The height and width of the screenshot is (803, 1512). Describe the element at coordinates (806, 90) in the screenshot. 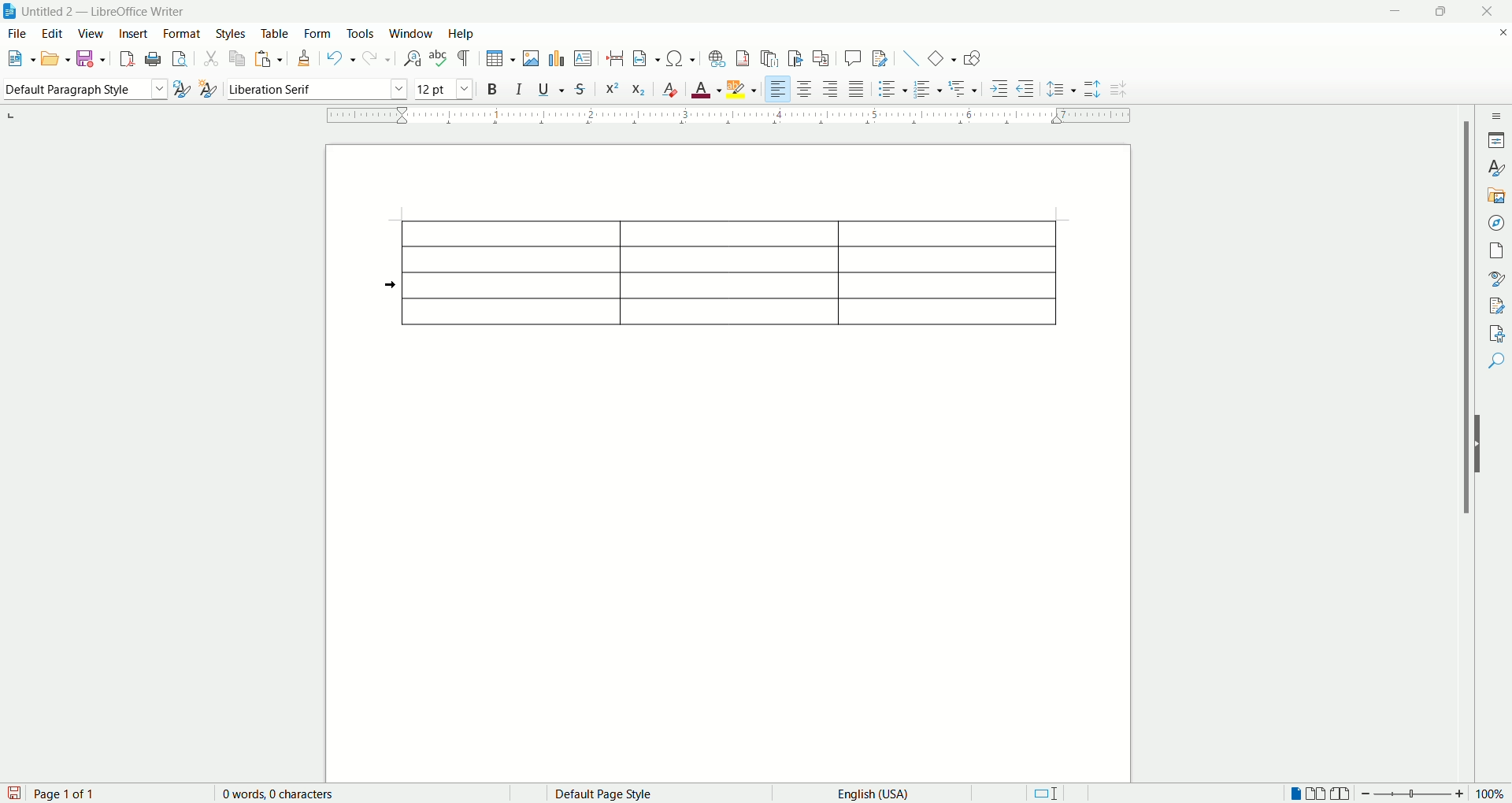

I see `align center` at that location.